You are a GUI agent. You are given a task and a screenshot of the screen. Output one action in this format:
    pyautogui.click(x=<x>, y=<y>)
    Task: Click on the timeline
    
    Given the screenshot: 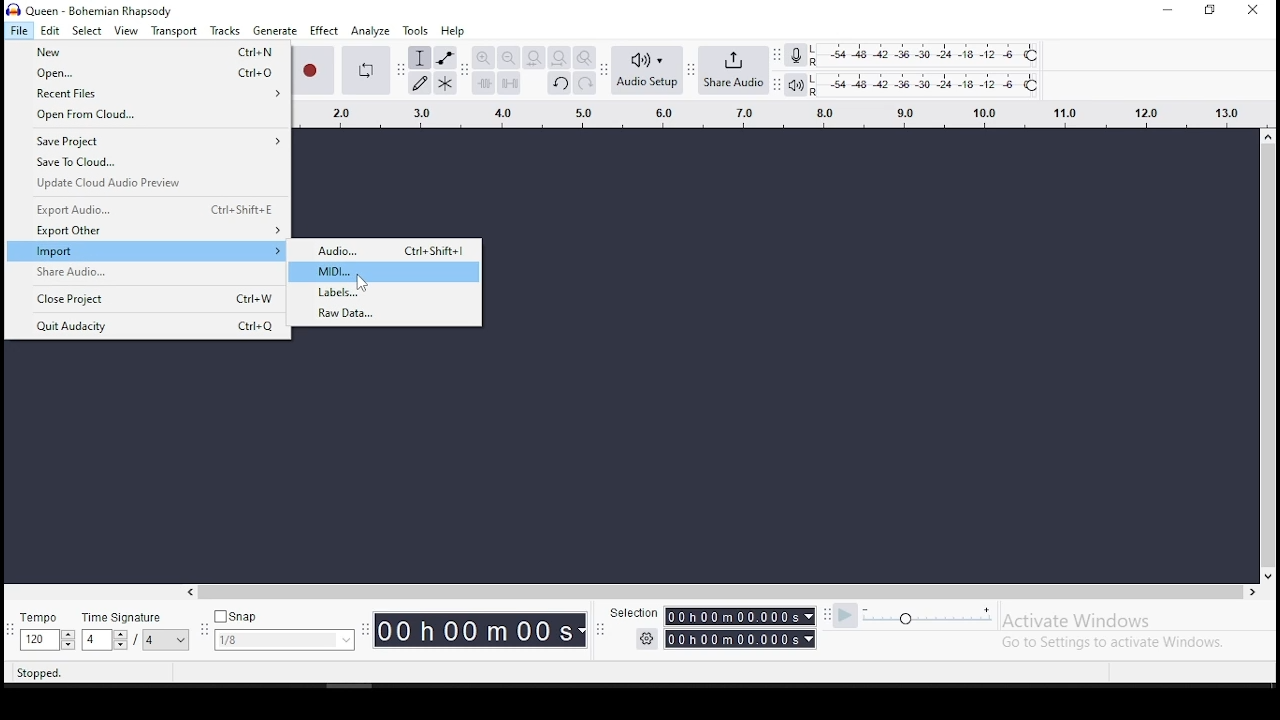 What is the action you would take?
    pyautogui.click(x=769, y=112)
    